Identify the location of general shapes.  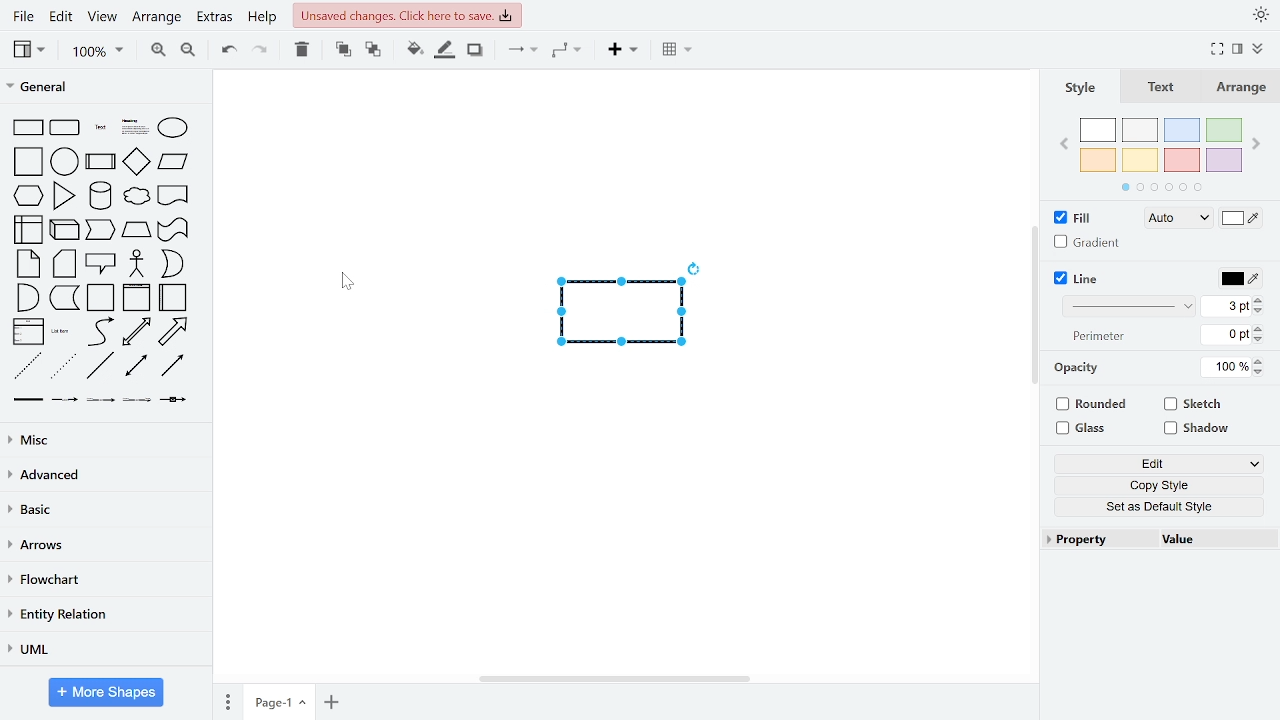
(27, 160).